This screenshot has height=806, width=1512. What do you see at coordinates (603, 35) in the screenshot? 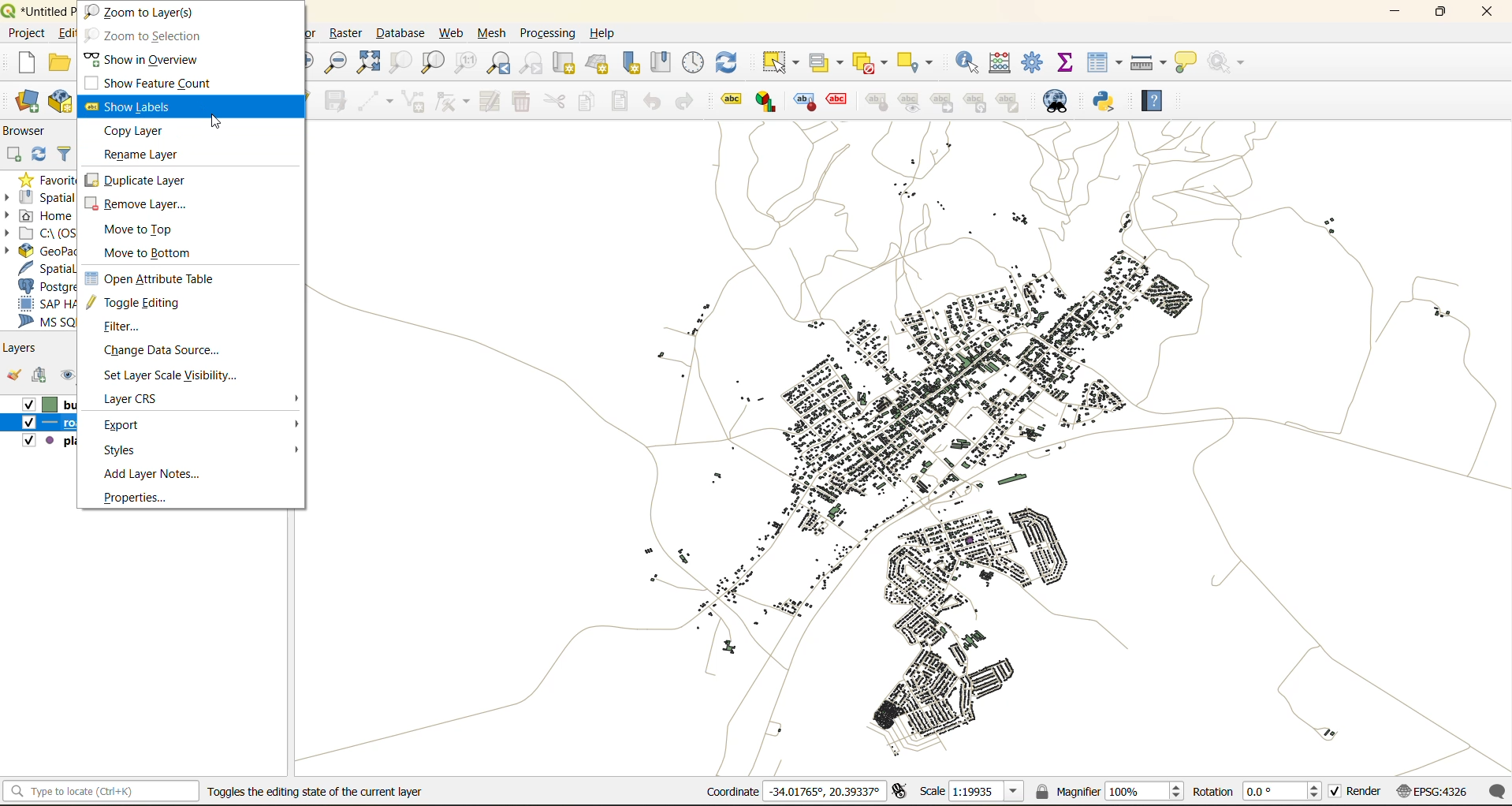
I see `help` at bounding box center [603, 35].